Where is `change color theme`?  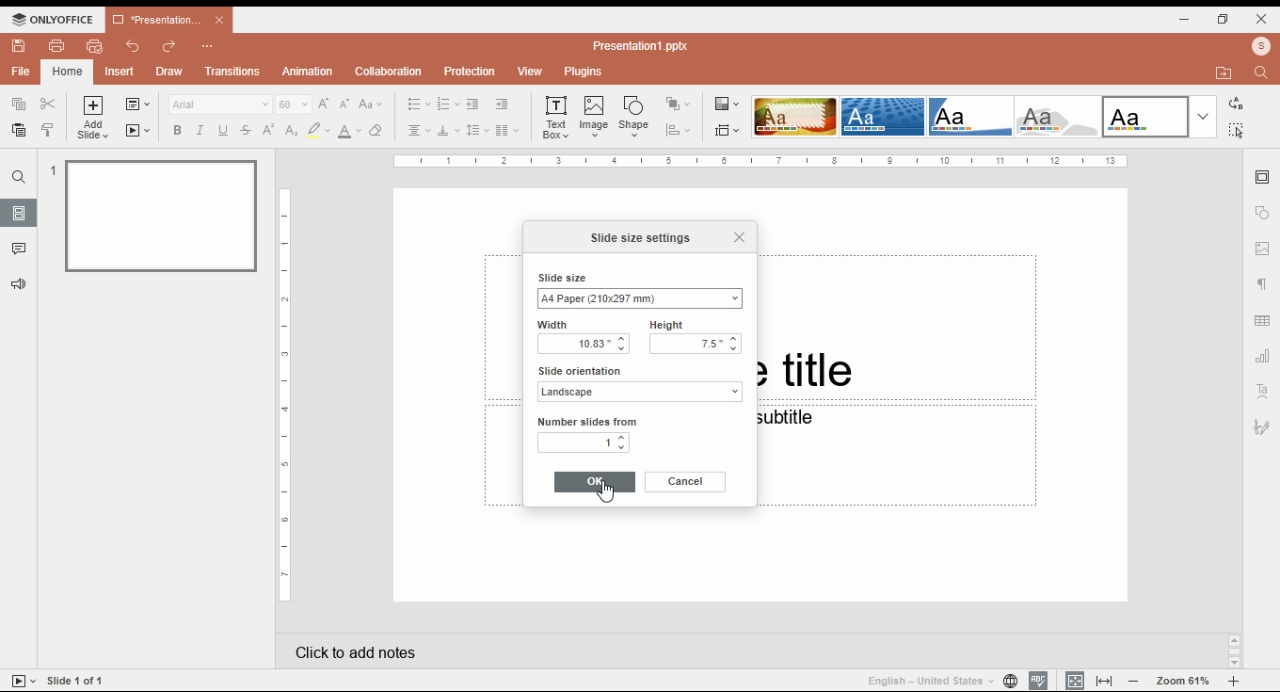 change color theme is located at coordinates (727, 104).